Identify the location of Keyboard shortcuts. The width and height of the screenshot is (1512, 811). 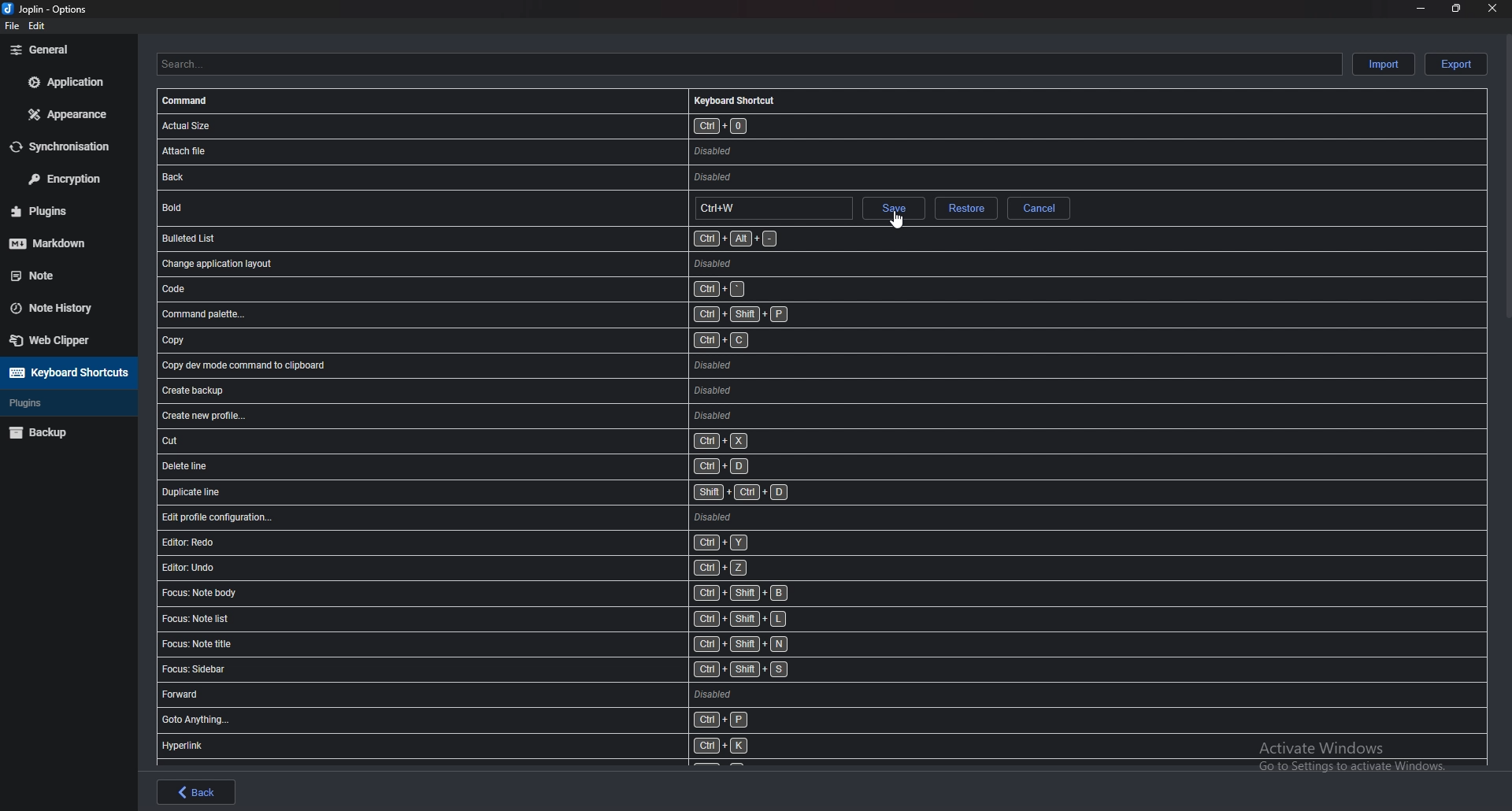
(68, 373).